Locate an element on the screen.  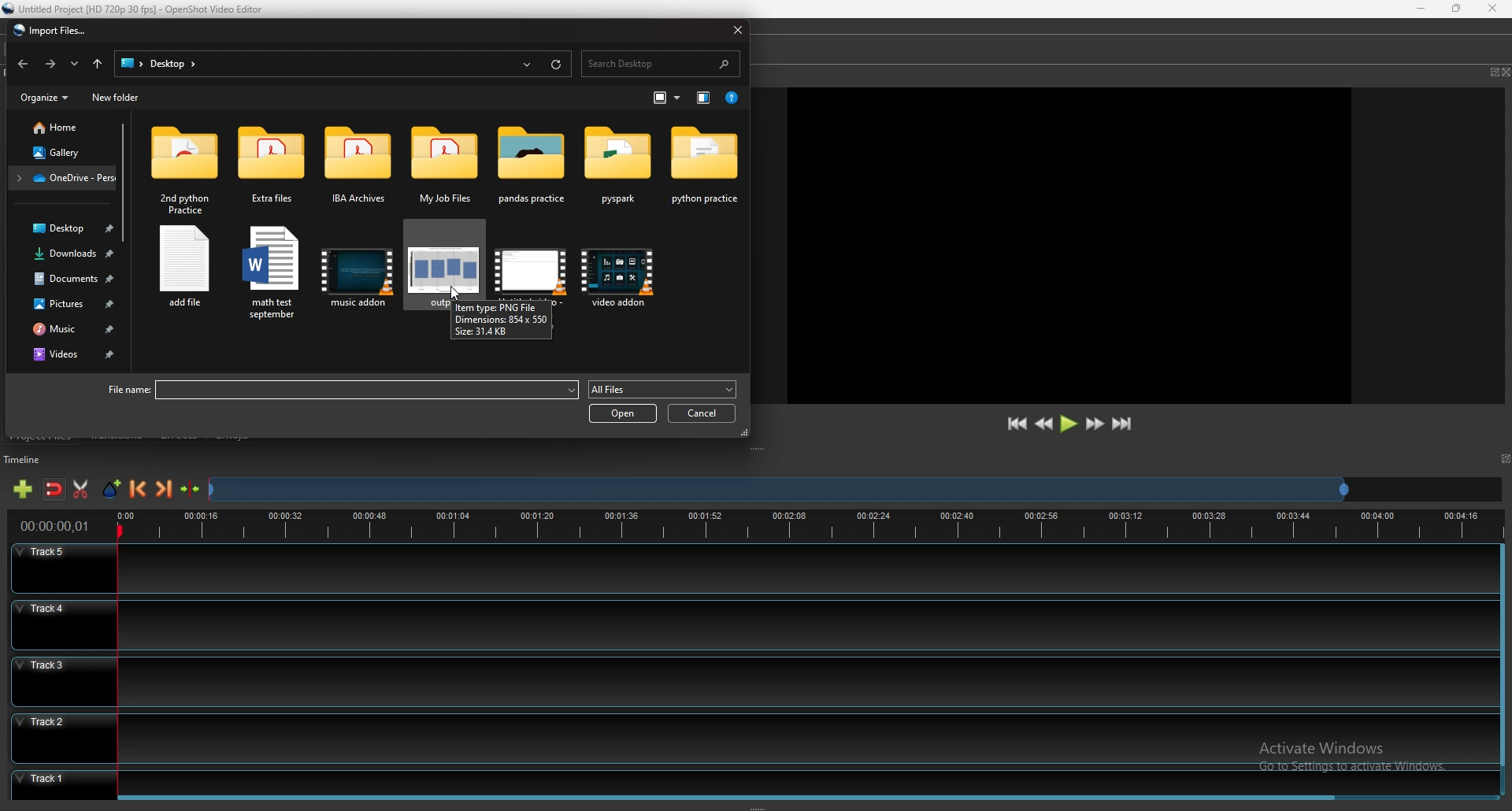
close is located at coordinates (738, 28).